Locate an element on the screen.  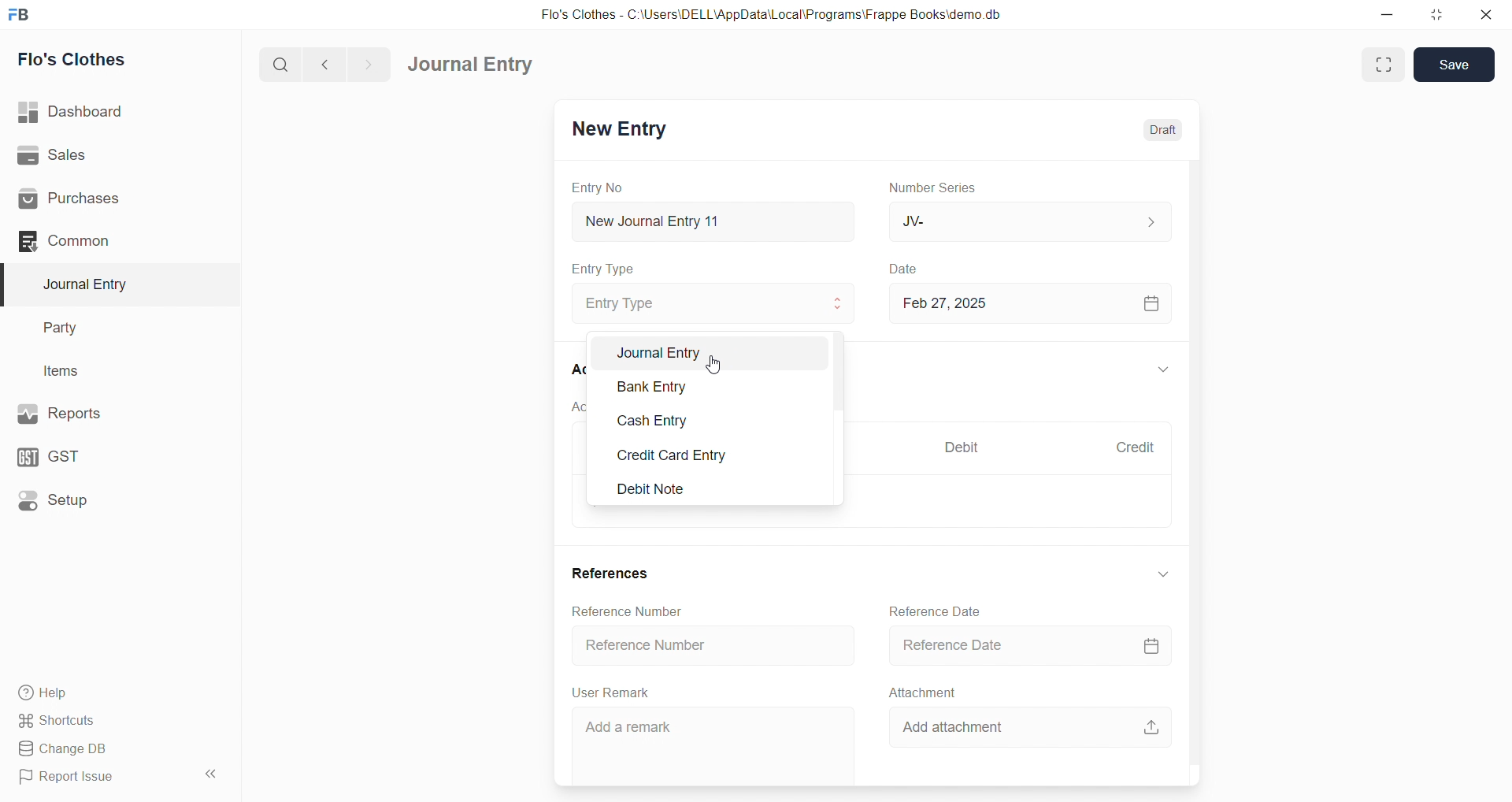
EXPAND/COLLAPSE is located at coordinates (1162, 577).